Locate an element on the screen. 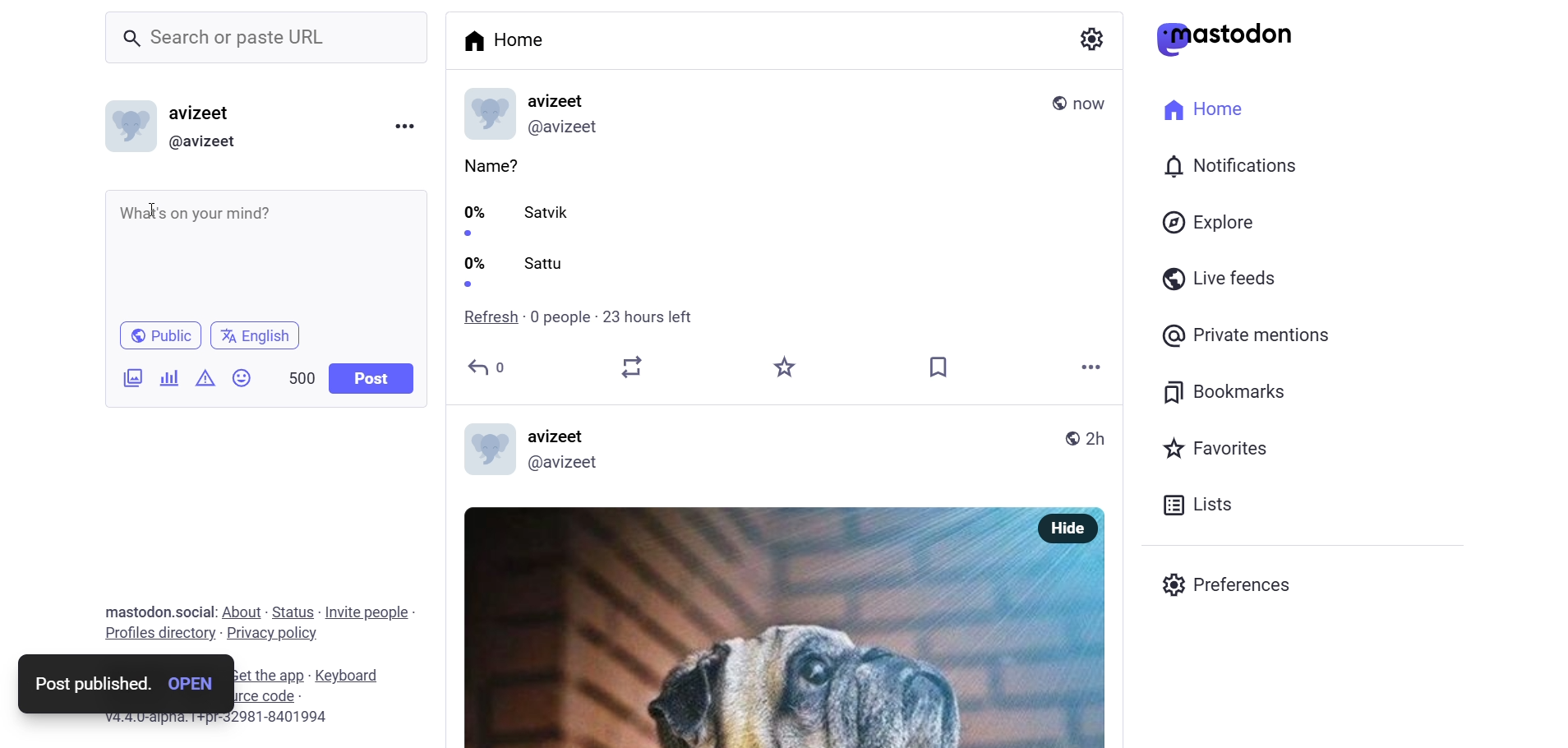 This screenshot has width=1568, height=748. home is located at coordinates (1198, 107).